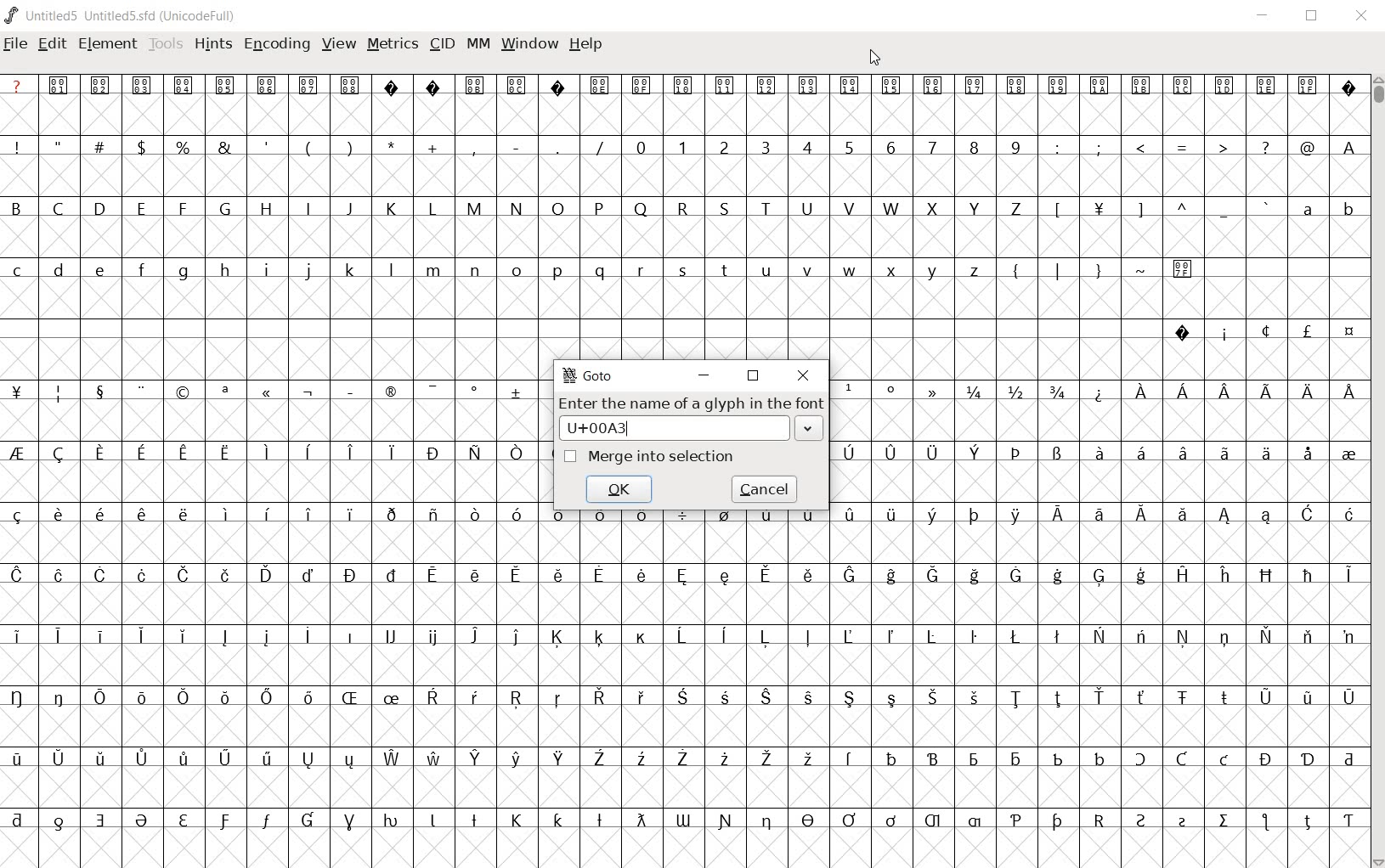 Image resolution: width=1385 pixels, height=868 pixels. I want to click on SCROLLBAR, so click(1377, 471).